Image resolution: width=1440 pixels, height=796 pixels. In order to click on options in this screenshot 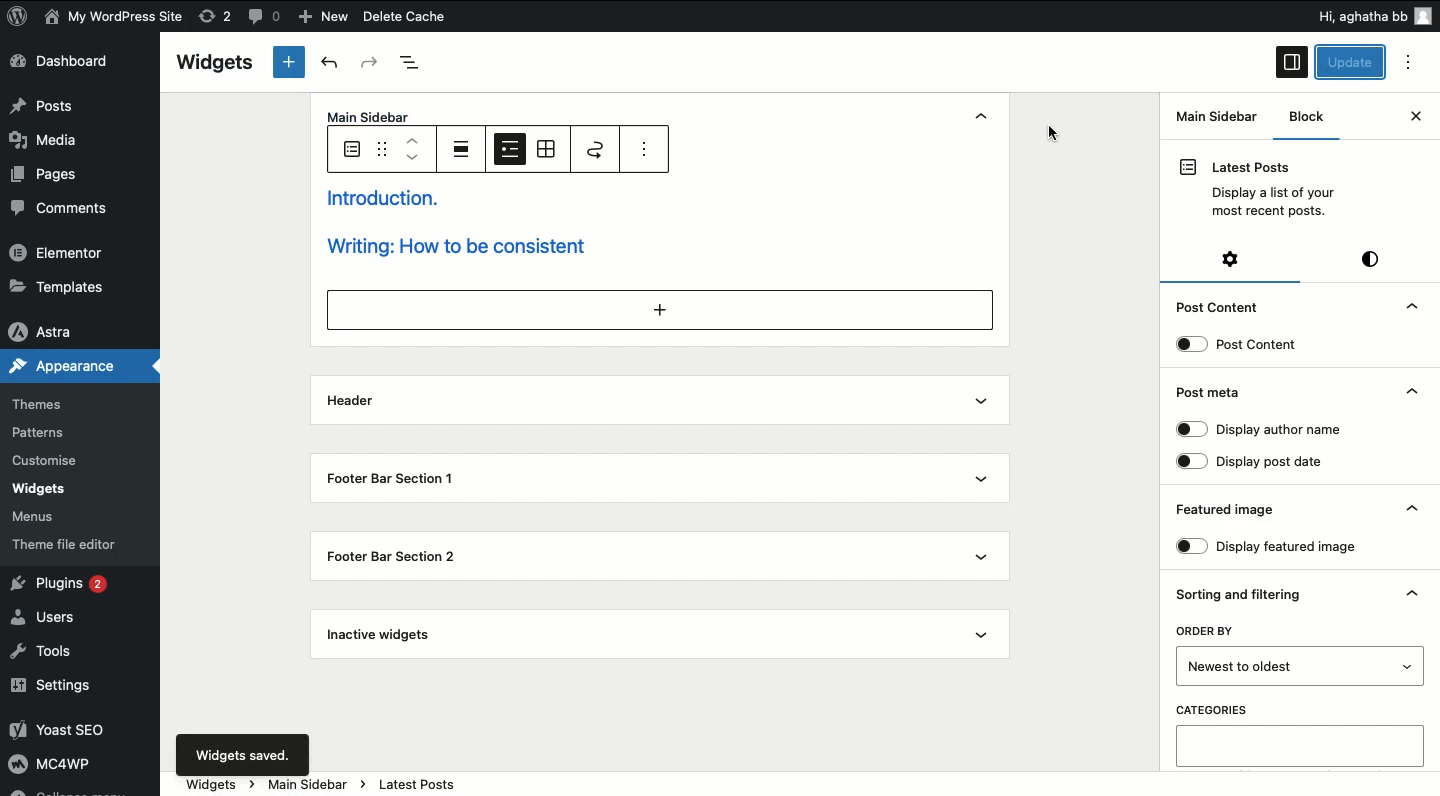, I will do `click(648, 146)`.